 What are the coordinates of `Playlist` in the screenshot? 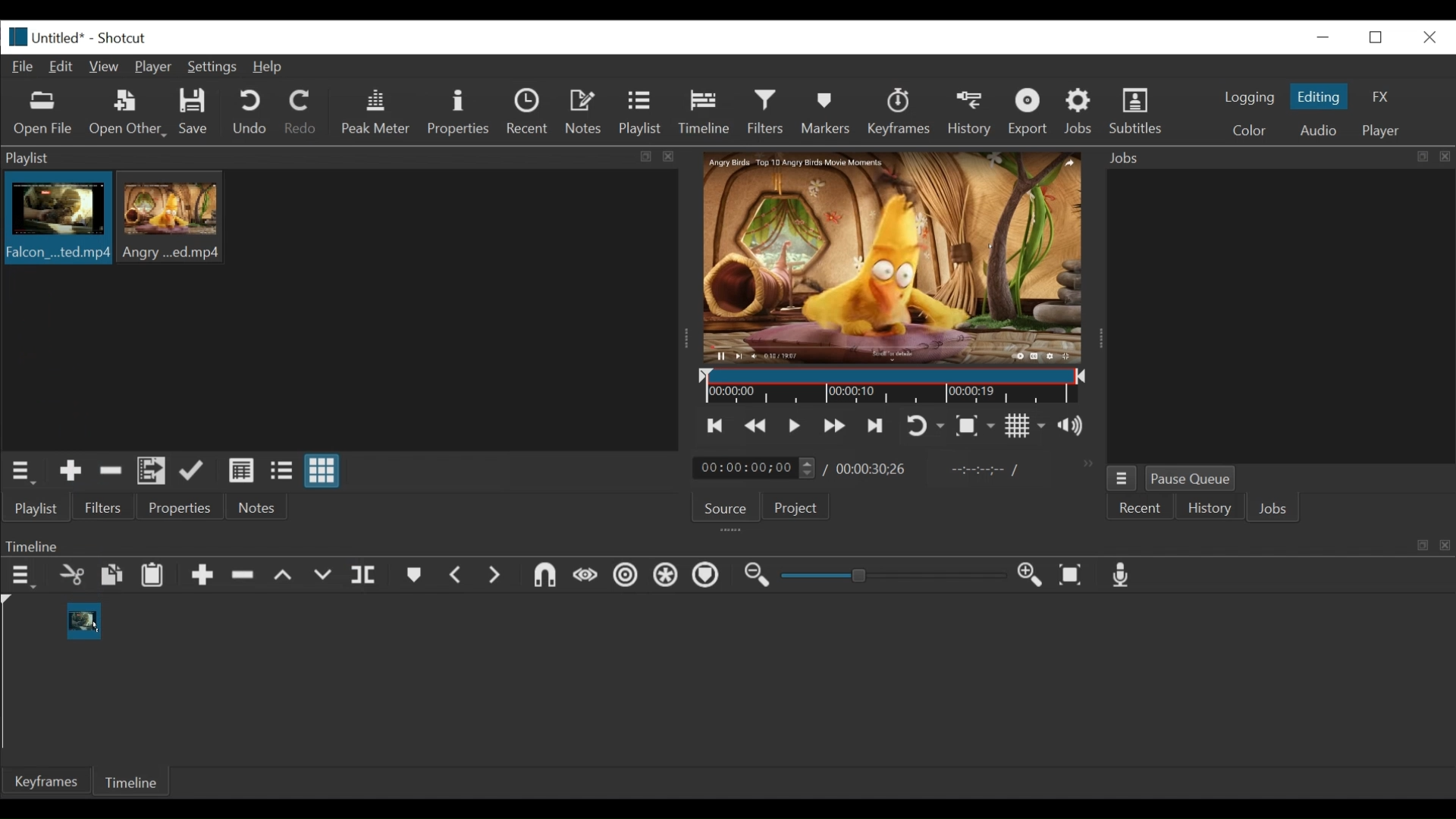 It's located at (641, 114).